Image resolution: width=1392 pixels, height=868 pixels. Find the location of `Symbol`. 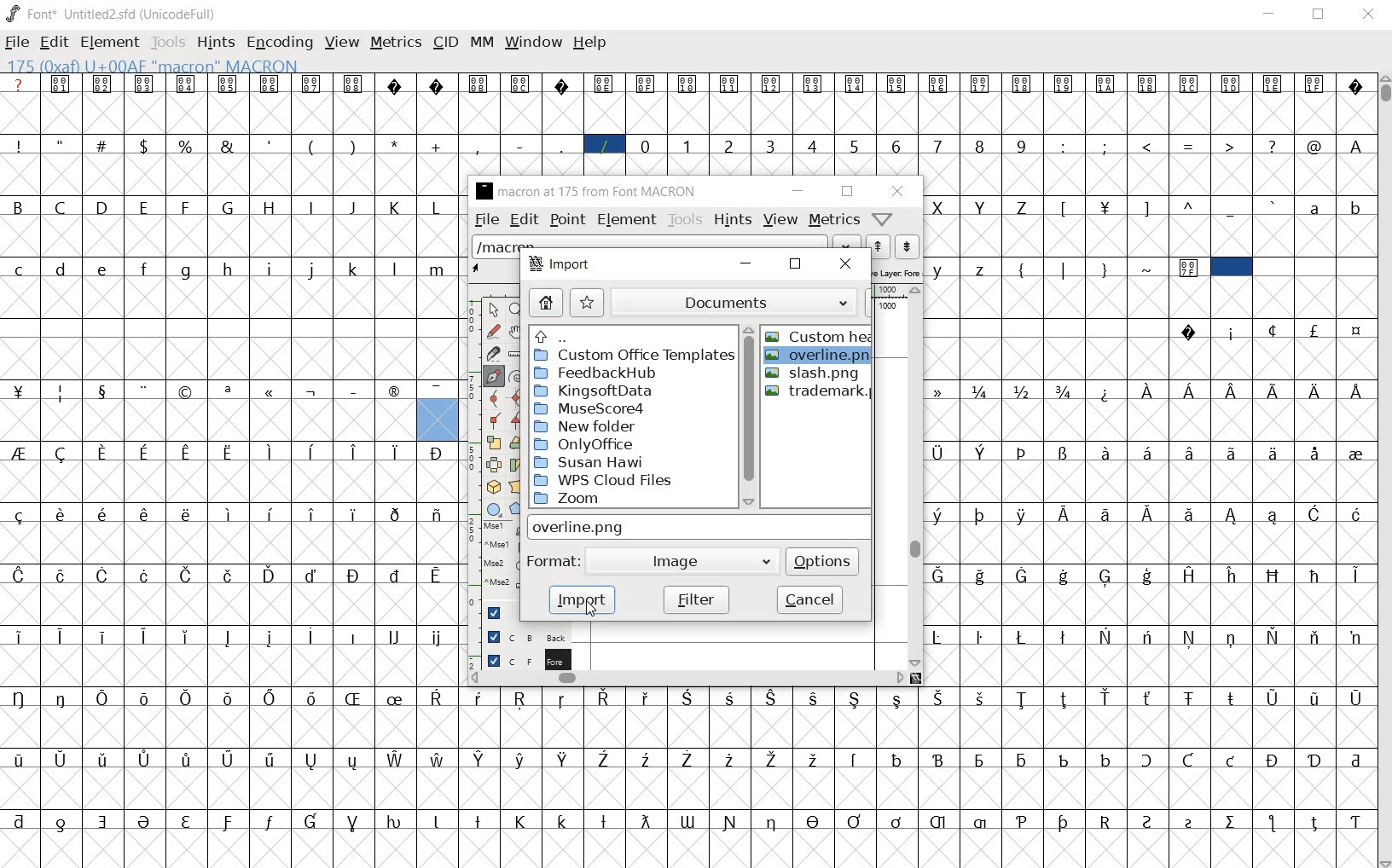

Symbol is located at coordinates (606, 698).